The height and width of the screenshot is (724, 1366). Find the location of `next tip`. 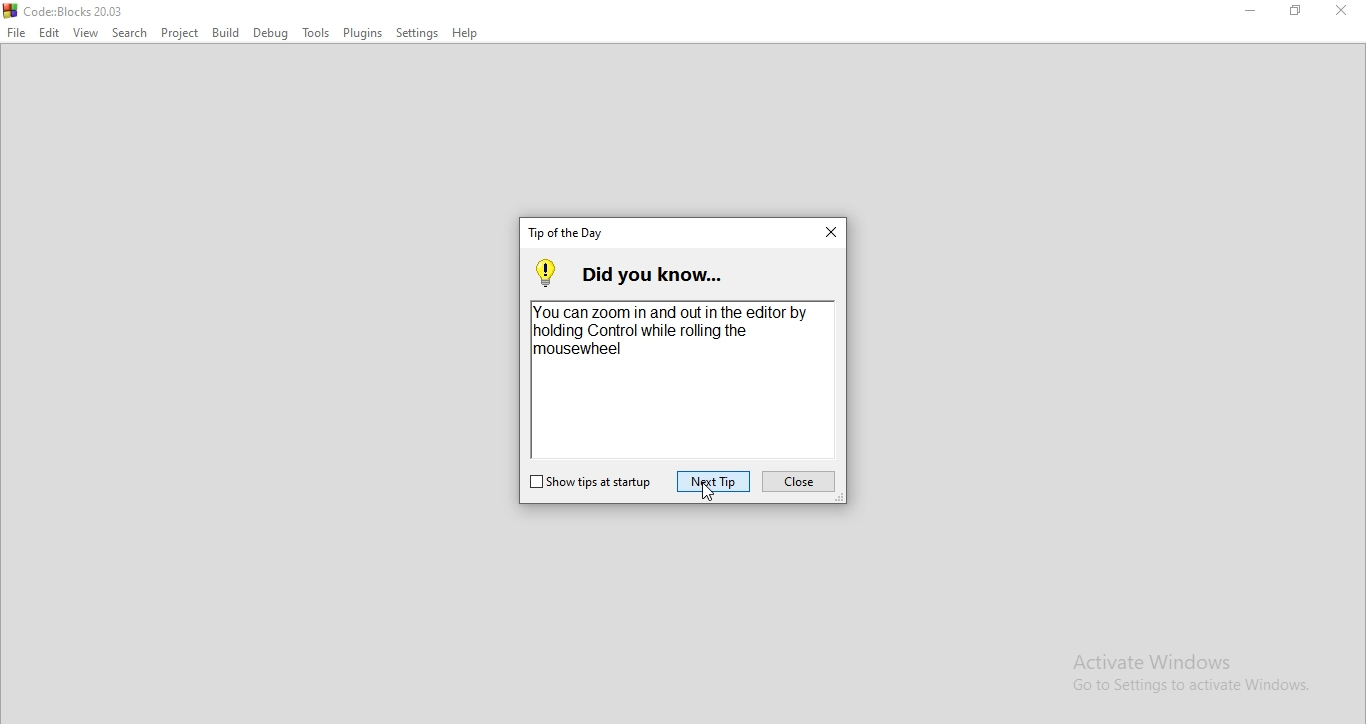

next tip is located at coordinates (713, 481).